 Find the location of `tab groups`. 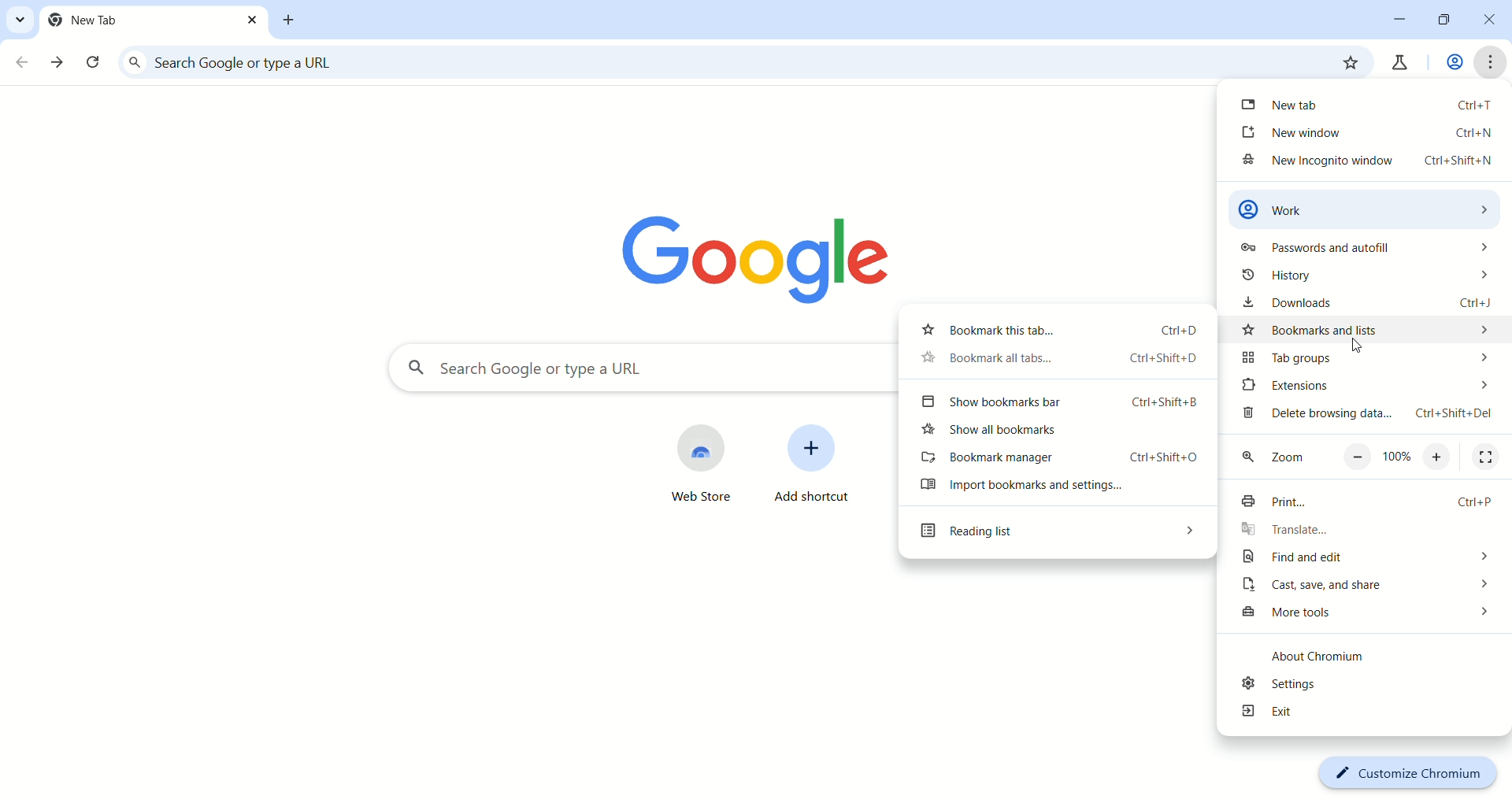

tab groups is located at coordinates (1362, 358).